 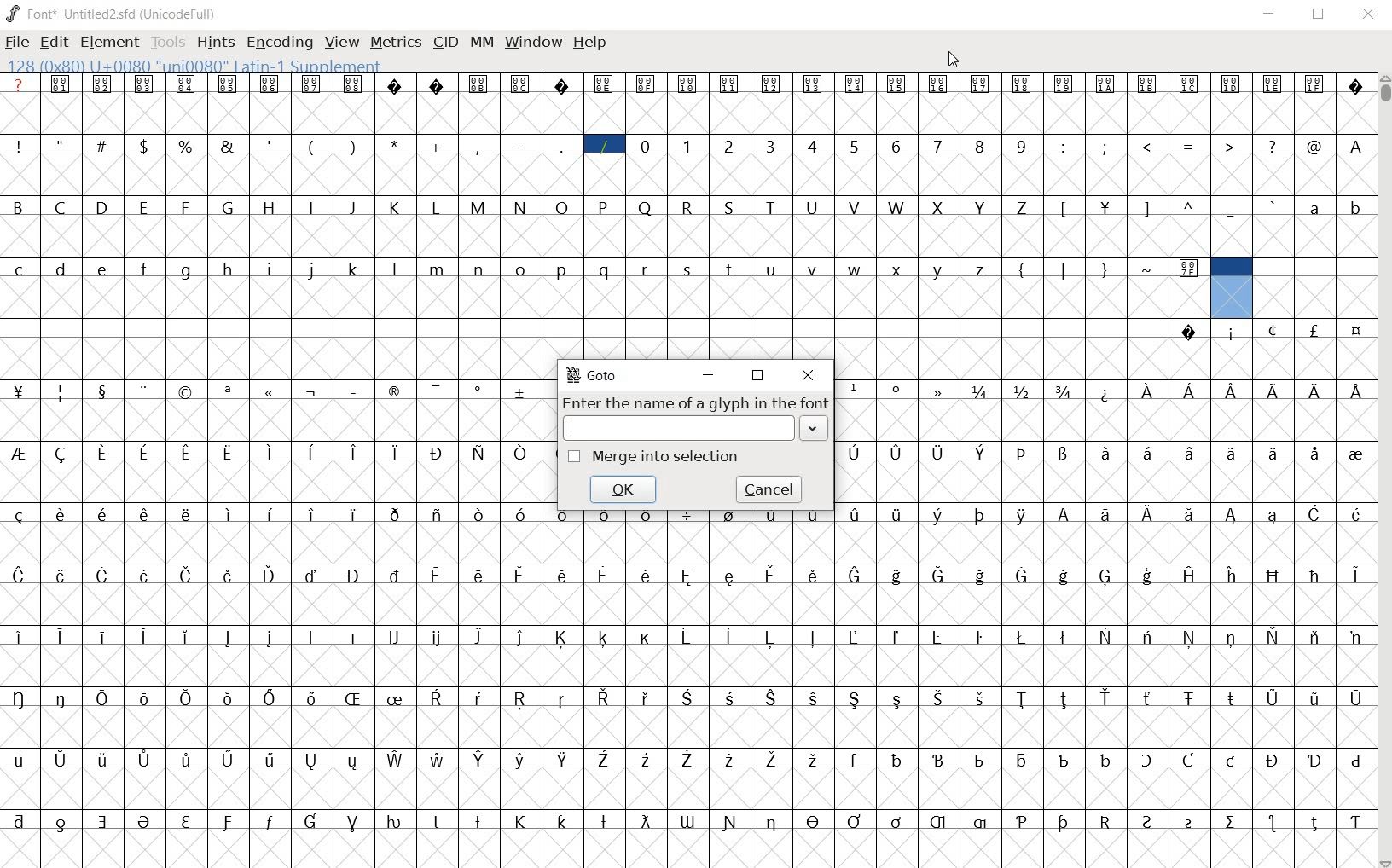 I want to click on Symbol, so click(x=148, y=575).